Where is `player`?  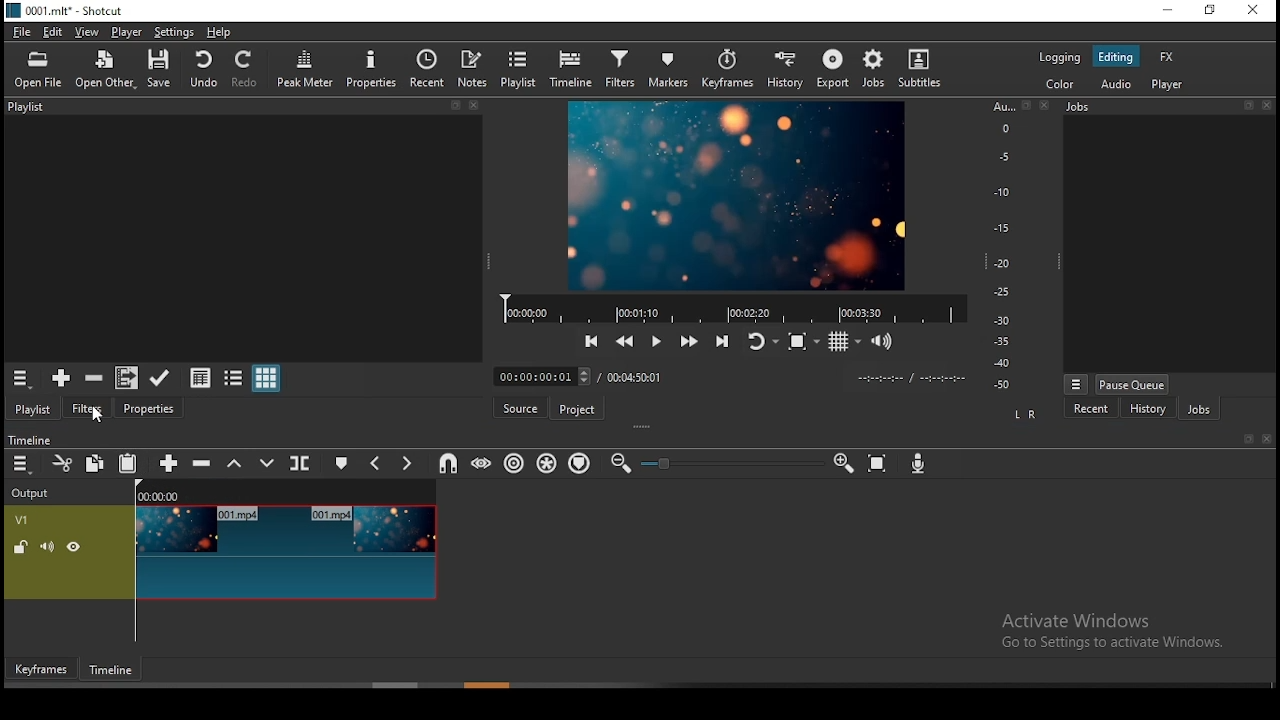
player is located at coordinates (1169, 84).